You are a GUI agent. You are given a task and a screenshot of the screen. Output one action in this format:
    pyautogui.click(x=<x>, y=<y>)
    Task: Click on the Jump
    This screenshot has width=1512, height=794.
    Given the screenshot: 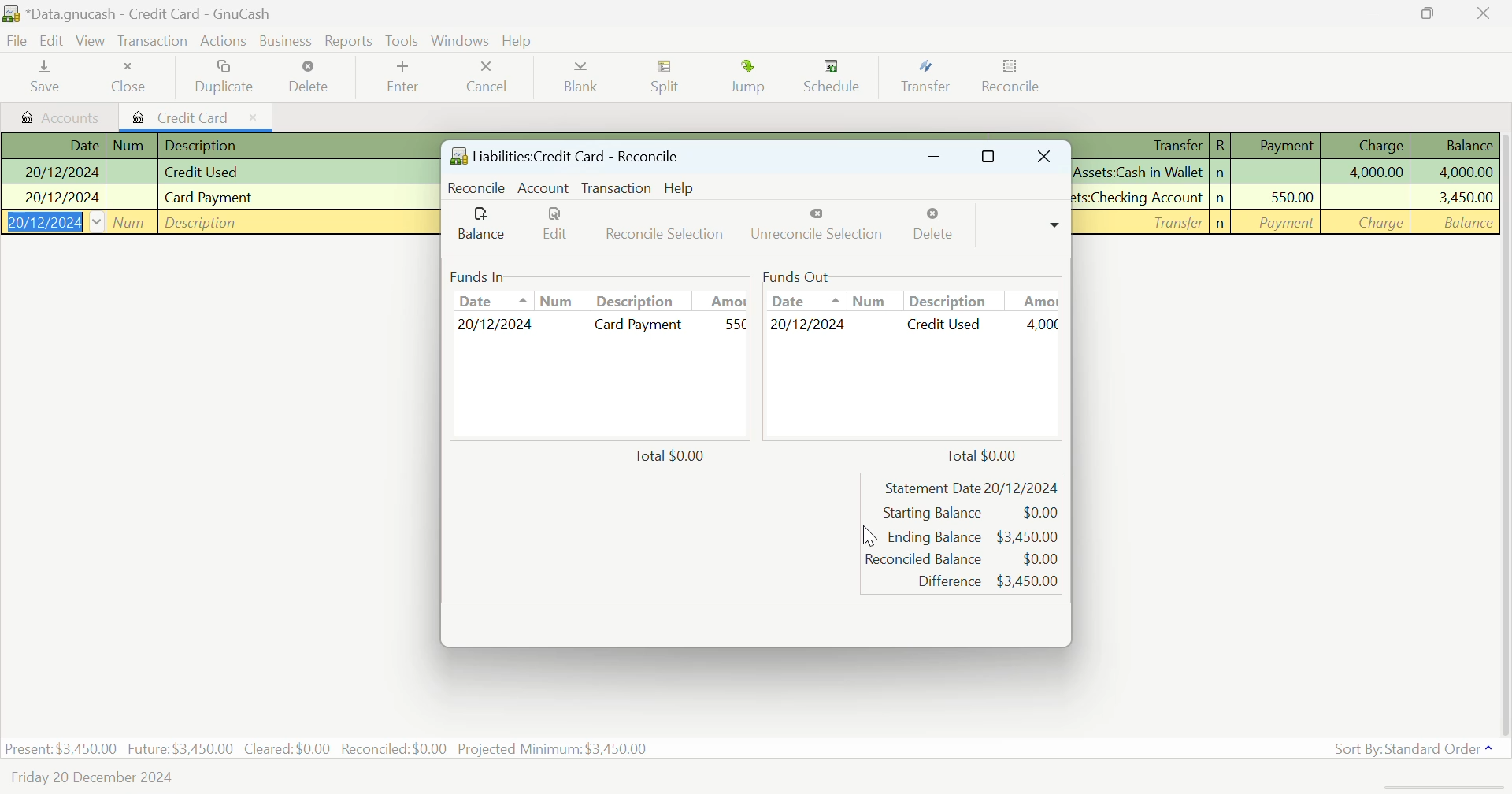 What is the action you would take?
    pyautogui.click(x=748, y=79)
    